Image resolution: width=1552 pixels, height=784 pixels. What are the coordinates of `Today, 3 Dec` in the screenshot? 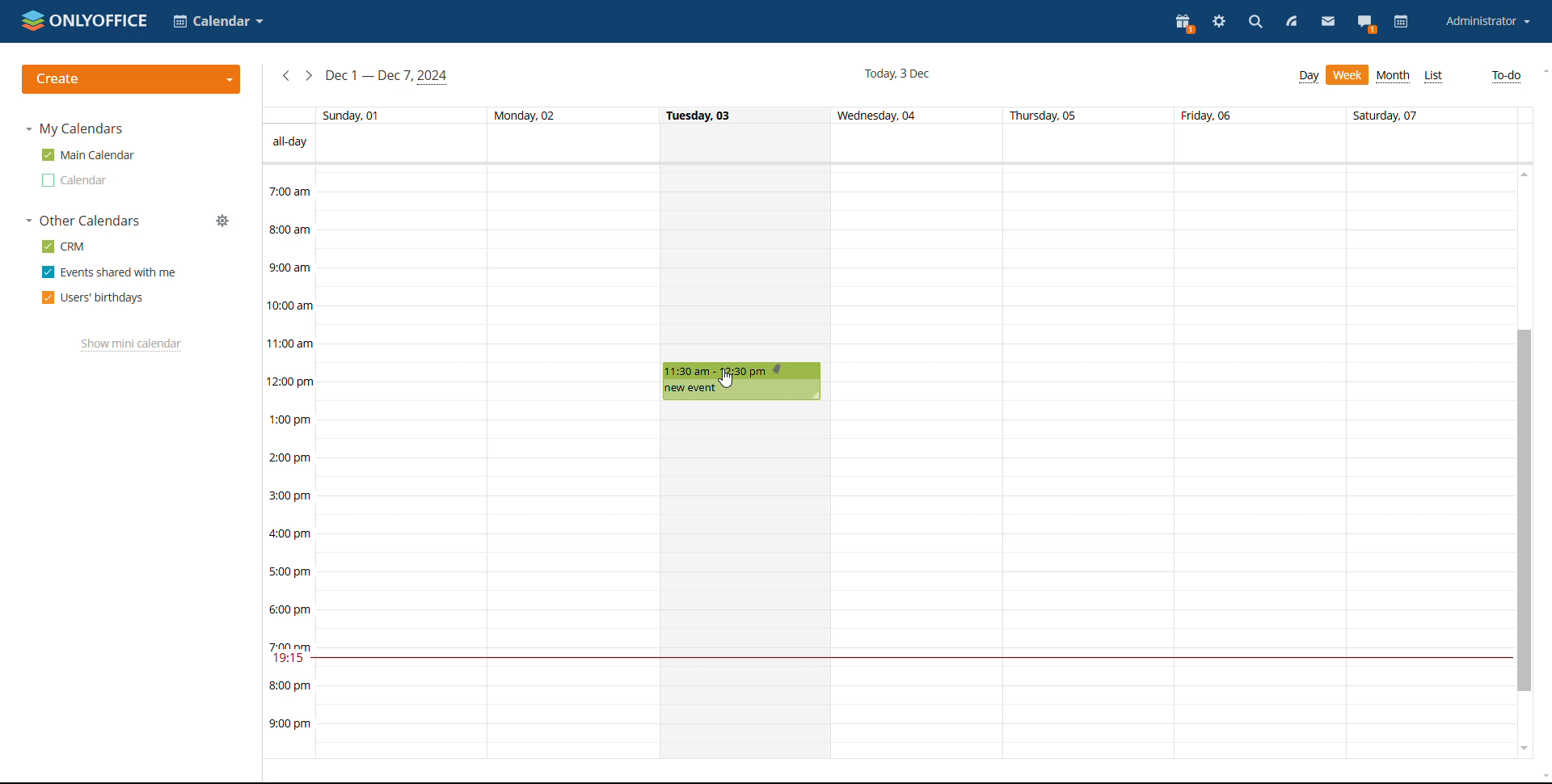 It's located at (896, 73).